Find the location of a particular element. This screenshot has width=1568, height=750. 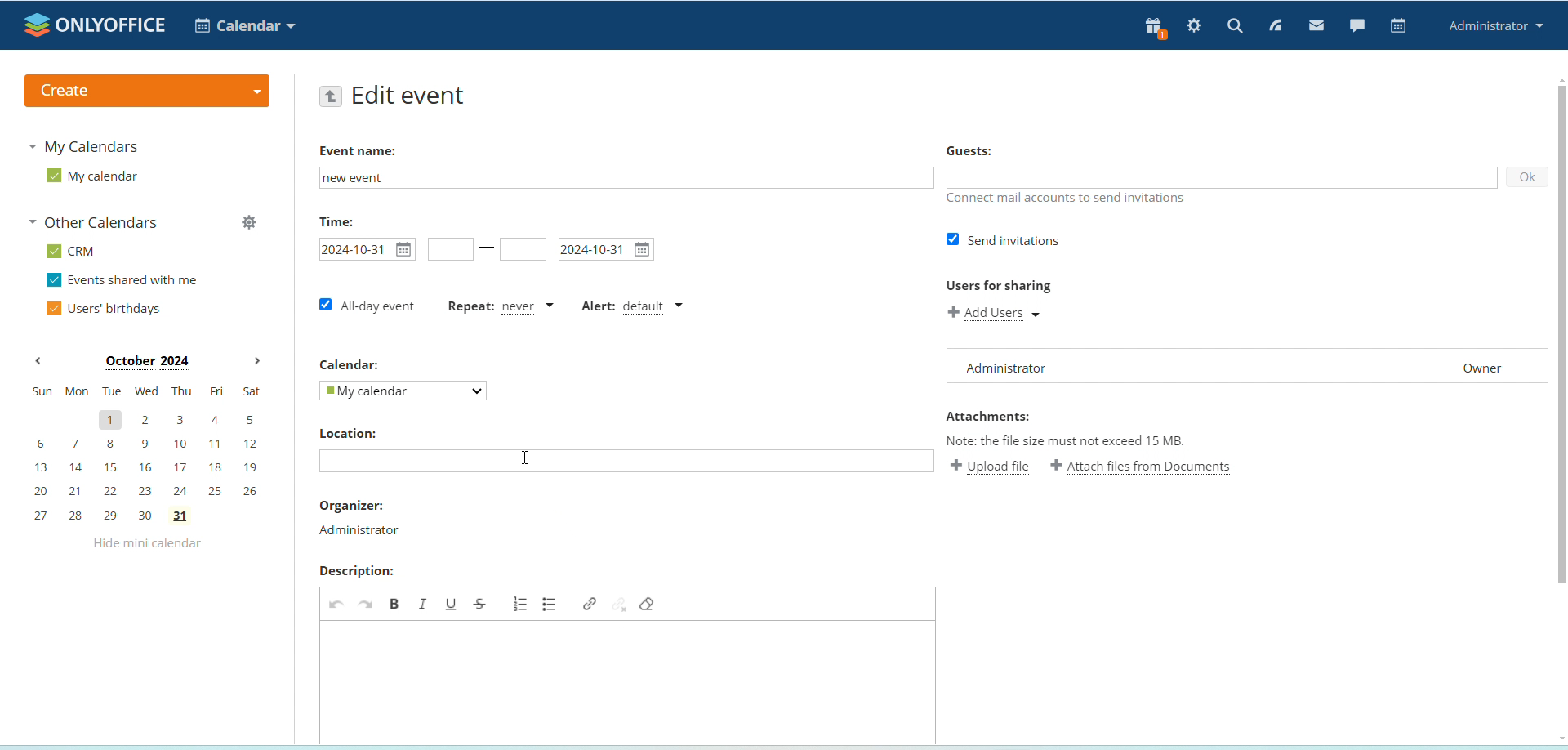

create is located at coordinates (145, 91).